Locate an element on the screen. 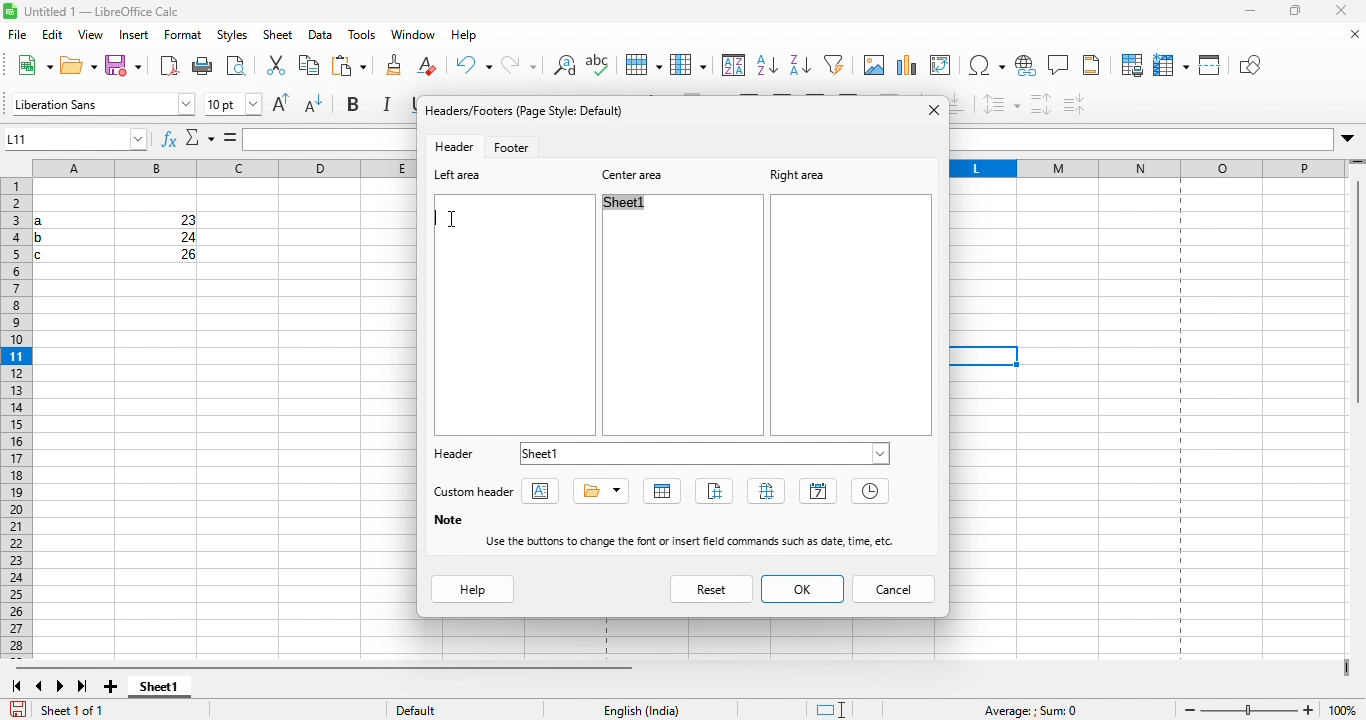 The height and width of the screenshot is (720, 1366). row is located at coordinates (599, 65).